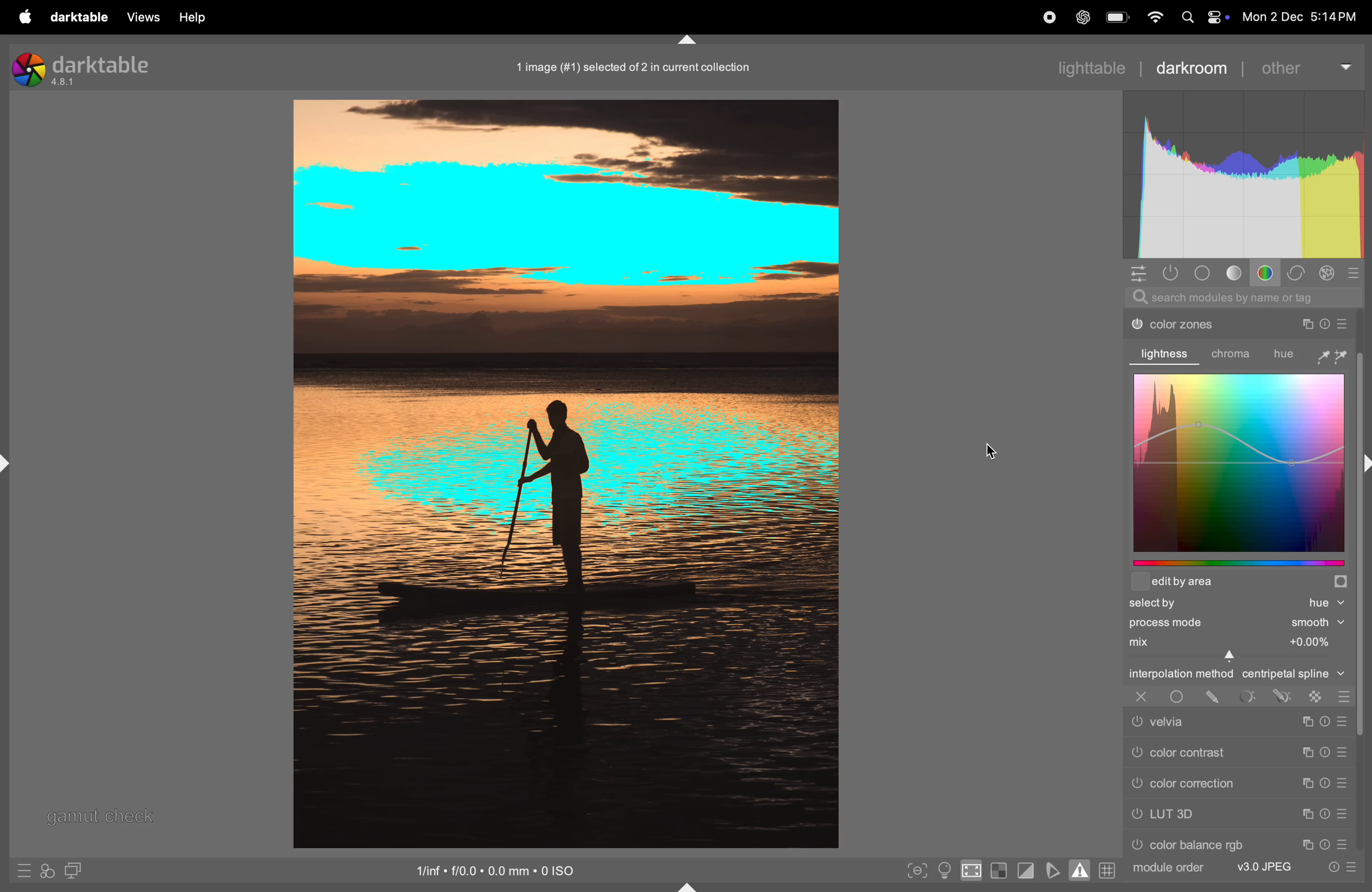 The image size is (1372, 892). What do you see at coordinates (1342, 781) in the screenshot?
I see `preset` at bounding box center [1342, 781].